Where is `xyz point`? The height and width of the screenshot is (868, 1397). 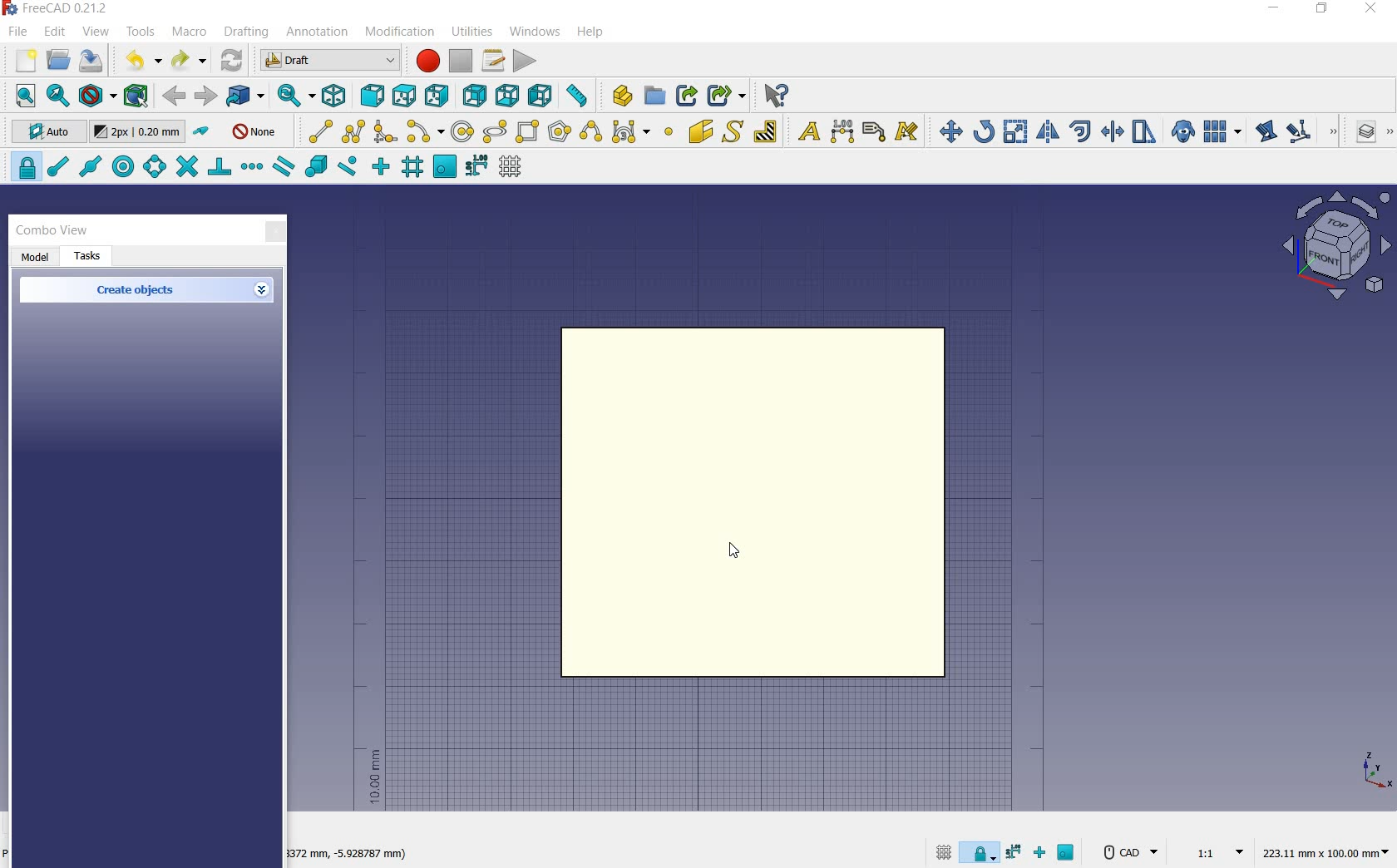 xyz point is located at coordinates (1376, 770).